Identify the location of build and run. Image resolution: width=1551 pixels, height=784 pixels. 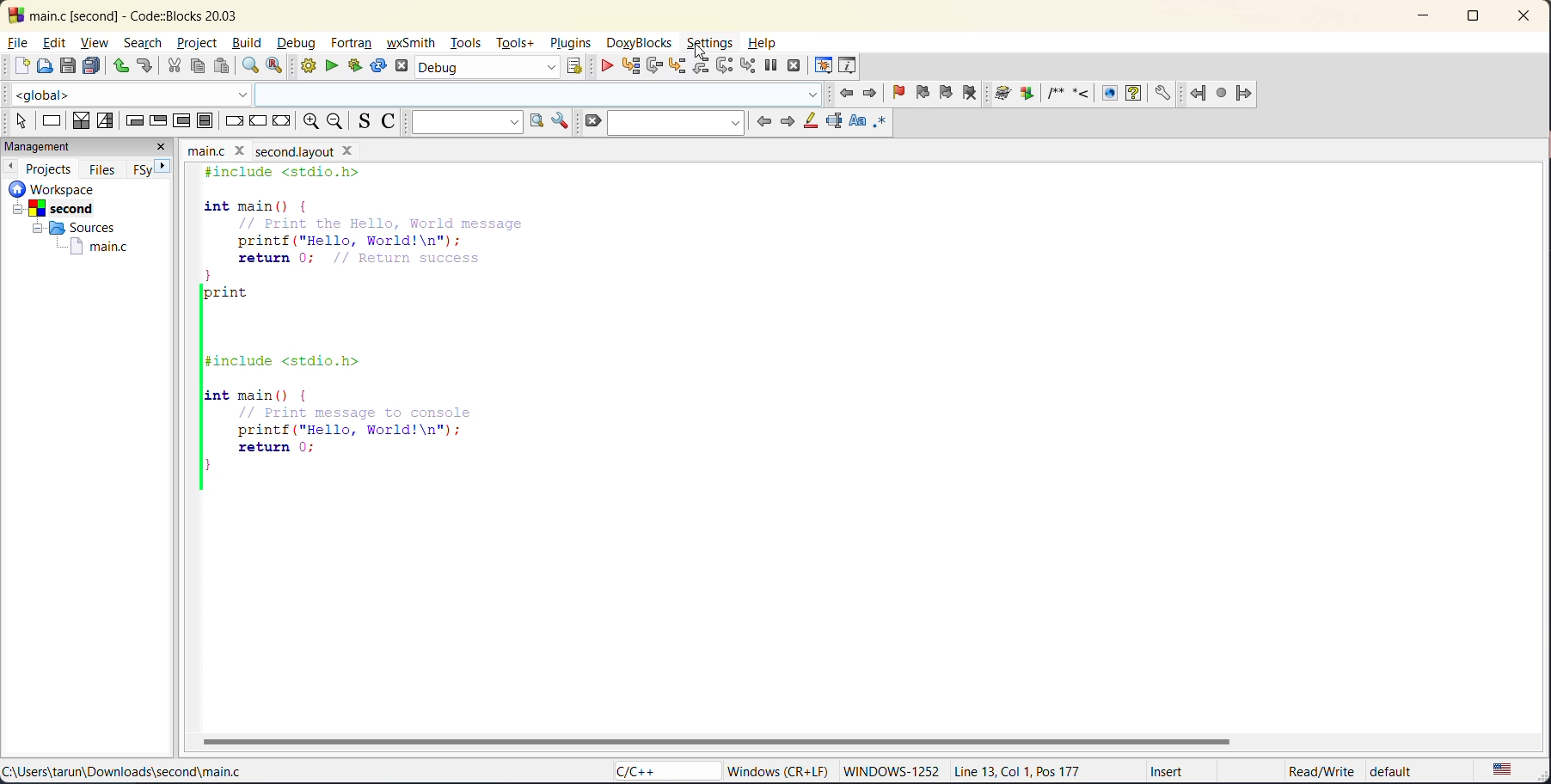
(361, 65).